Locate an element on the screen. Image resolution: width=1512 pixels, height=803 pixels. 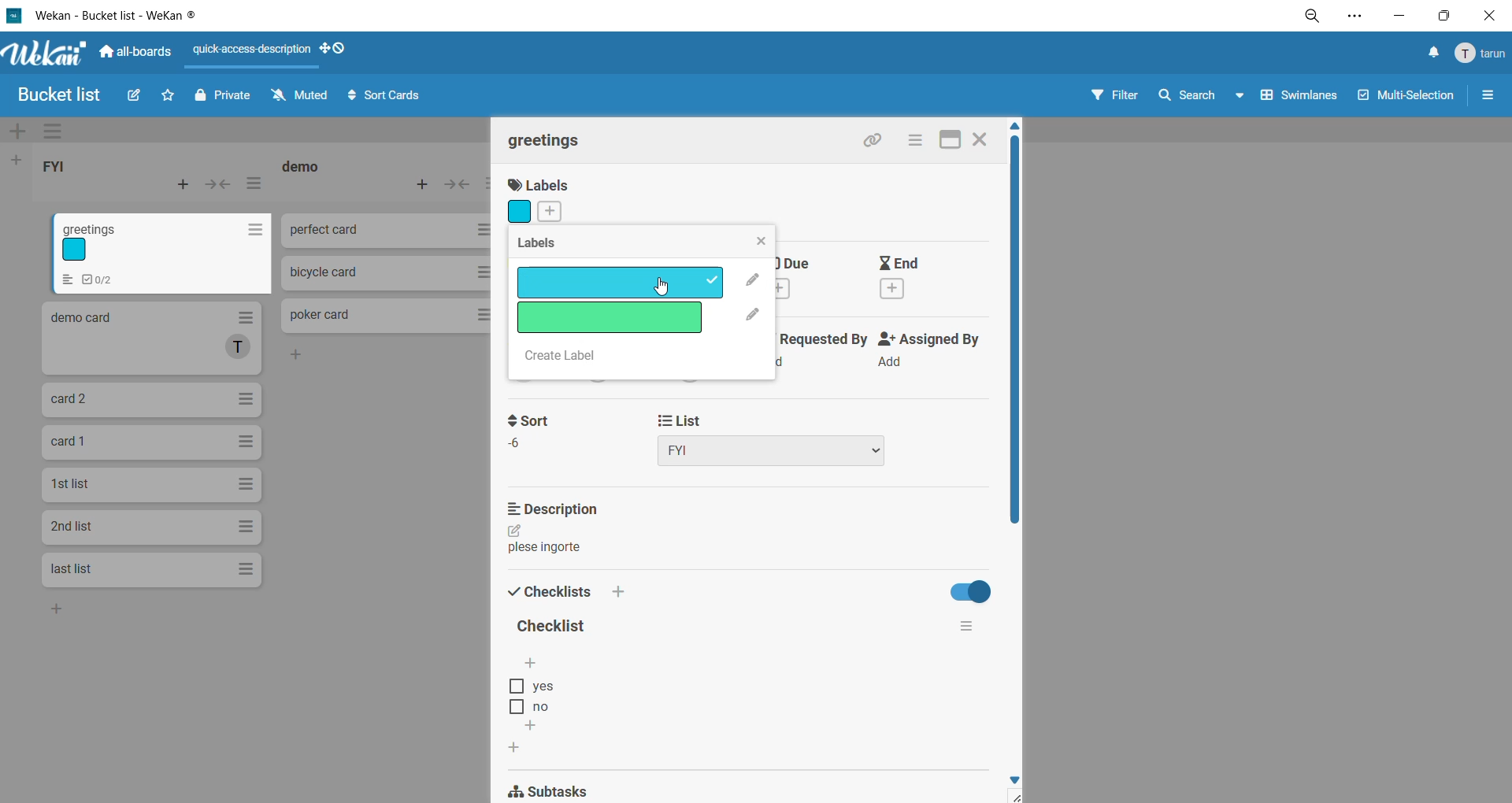
checklist title is located at coordinates (557, 627).